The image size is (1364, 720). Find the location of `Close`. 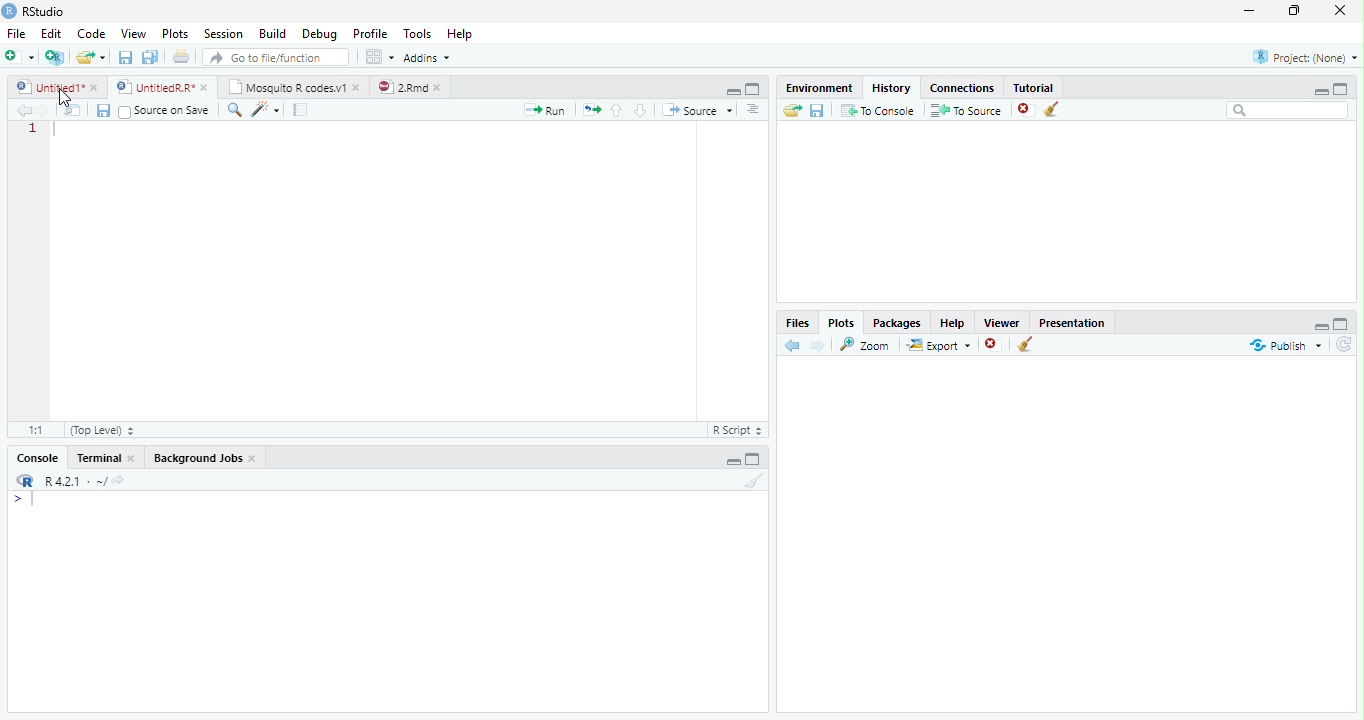

Close is located at coordinates (1342, 12).